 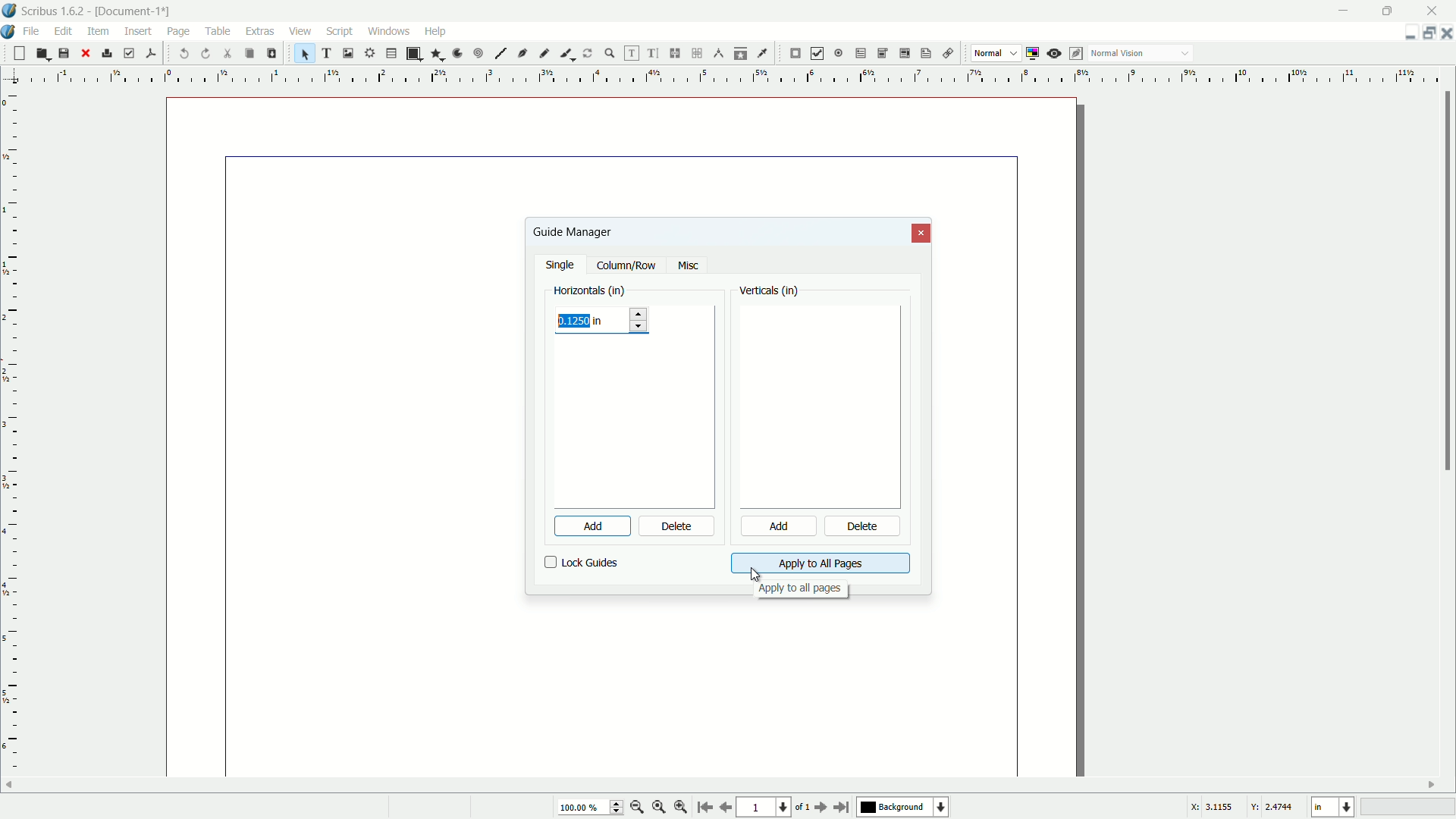 What do you see at coordinates (588, 808) in the screenshot?
I see `current zoom percentage` at bounding box center [588, 808].